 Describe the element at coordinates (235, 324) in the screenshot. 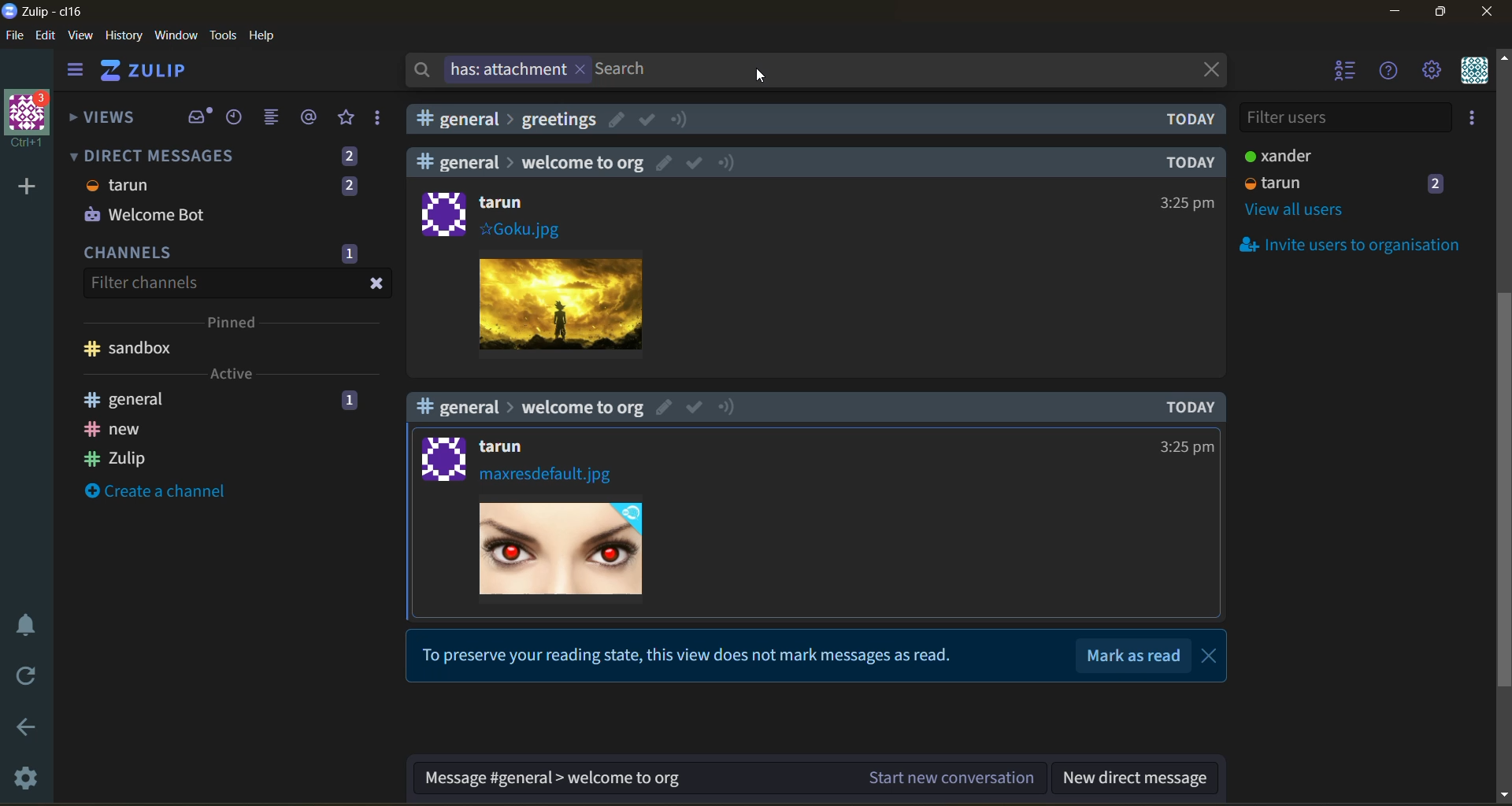

I see `pinned` at that location.